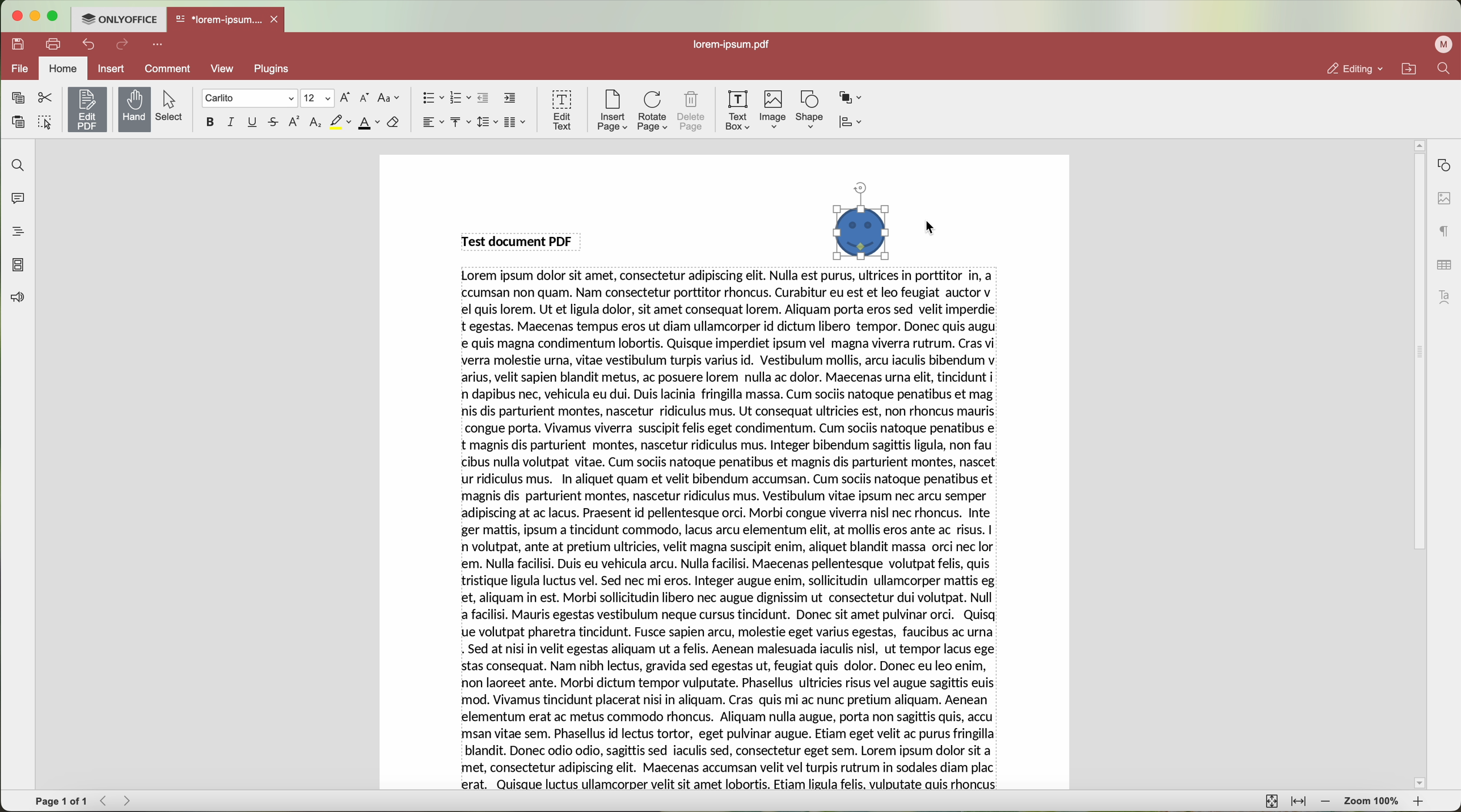  What do you see at coordinates (737, 45) in the screenshot?
I see `lorem-ipsum.pdf` at bounding box center [737, 45].